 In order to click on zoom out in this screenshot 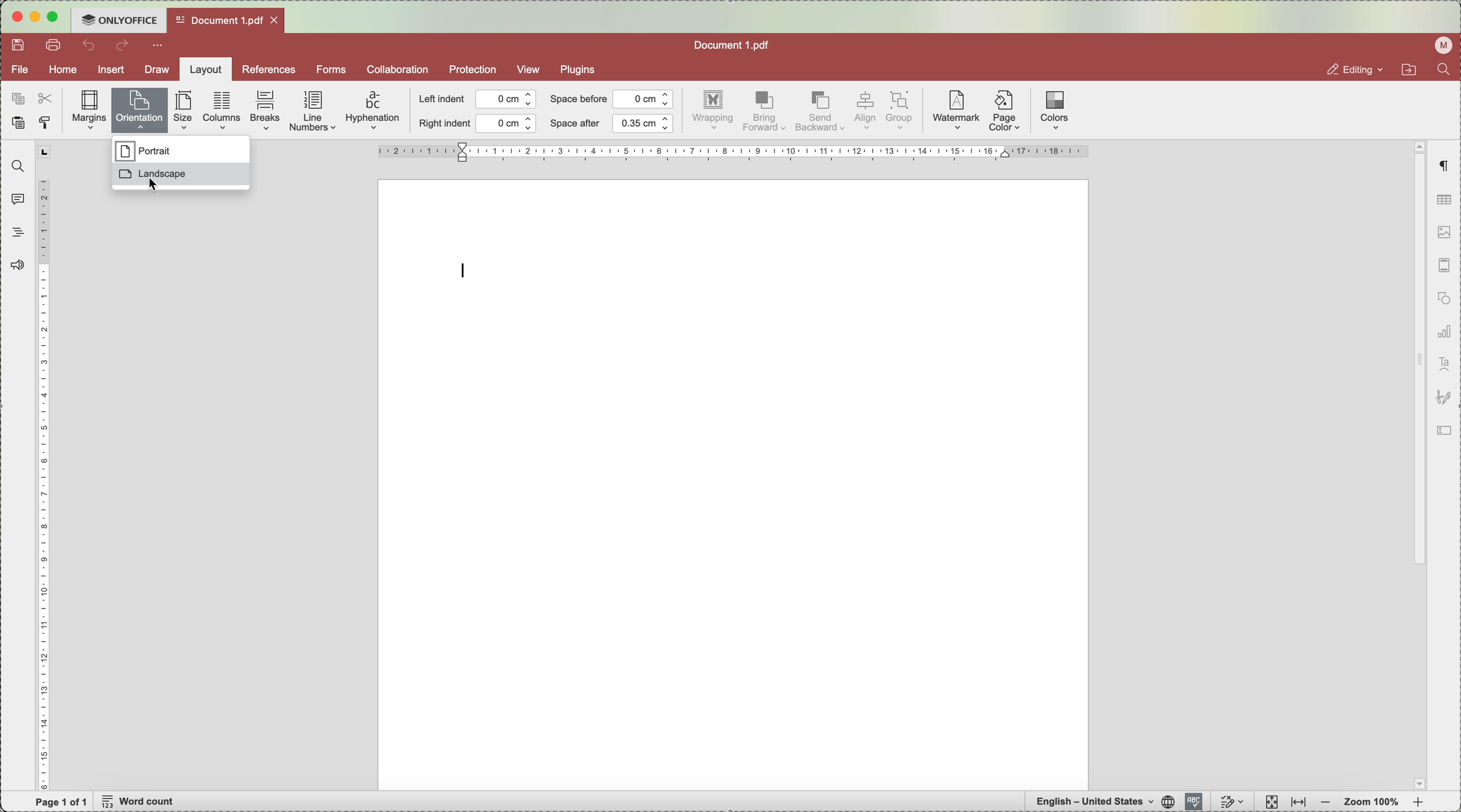, I will do `click(1325, 803)`.